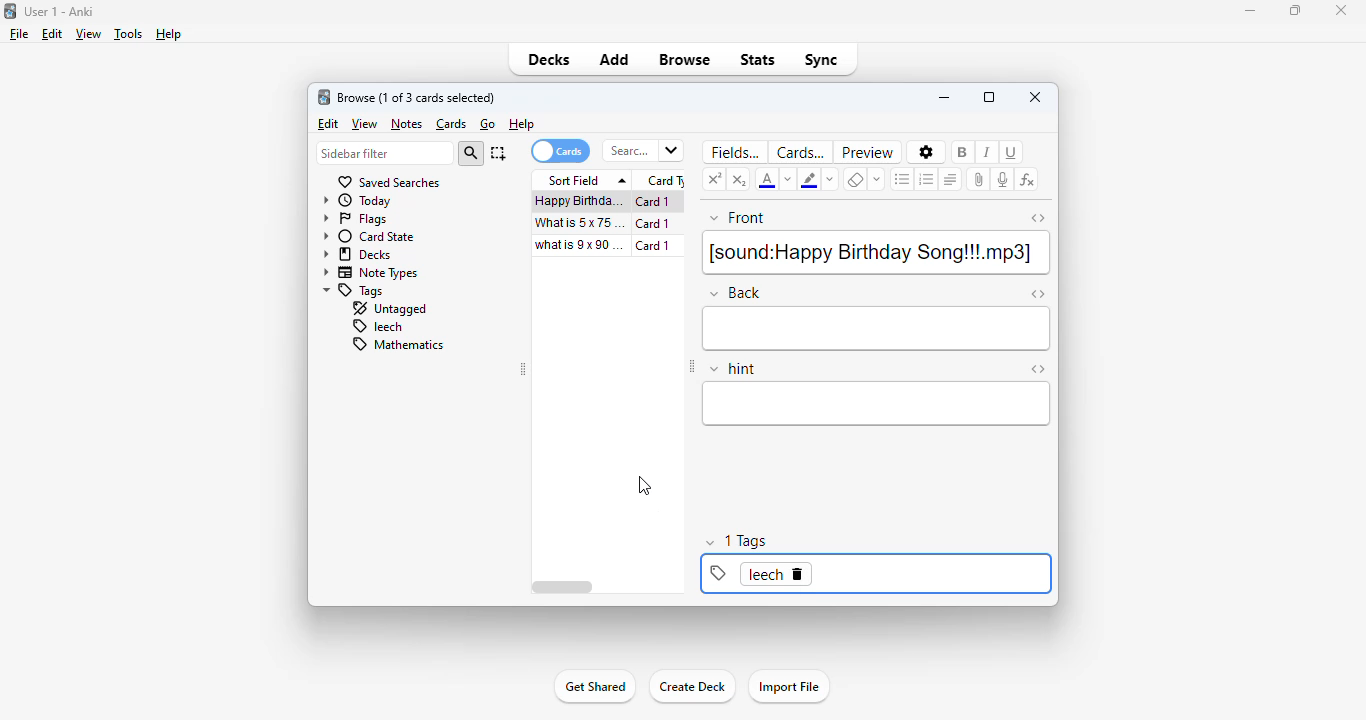  I want to click on cards, so click(452, 125).